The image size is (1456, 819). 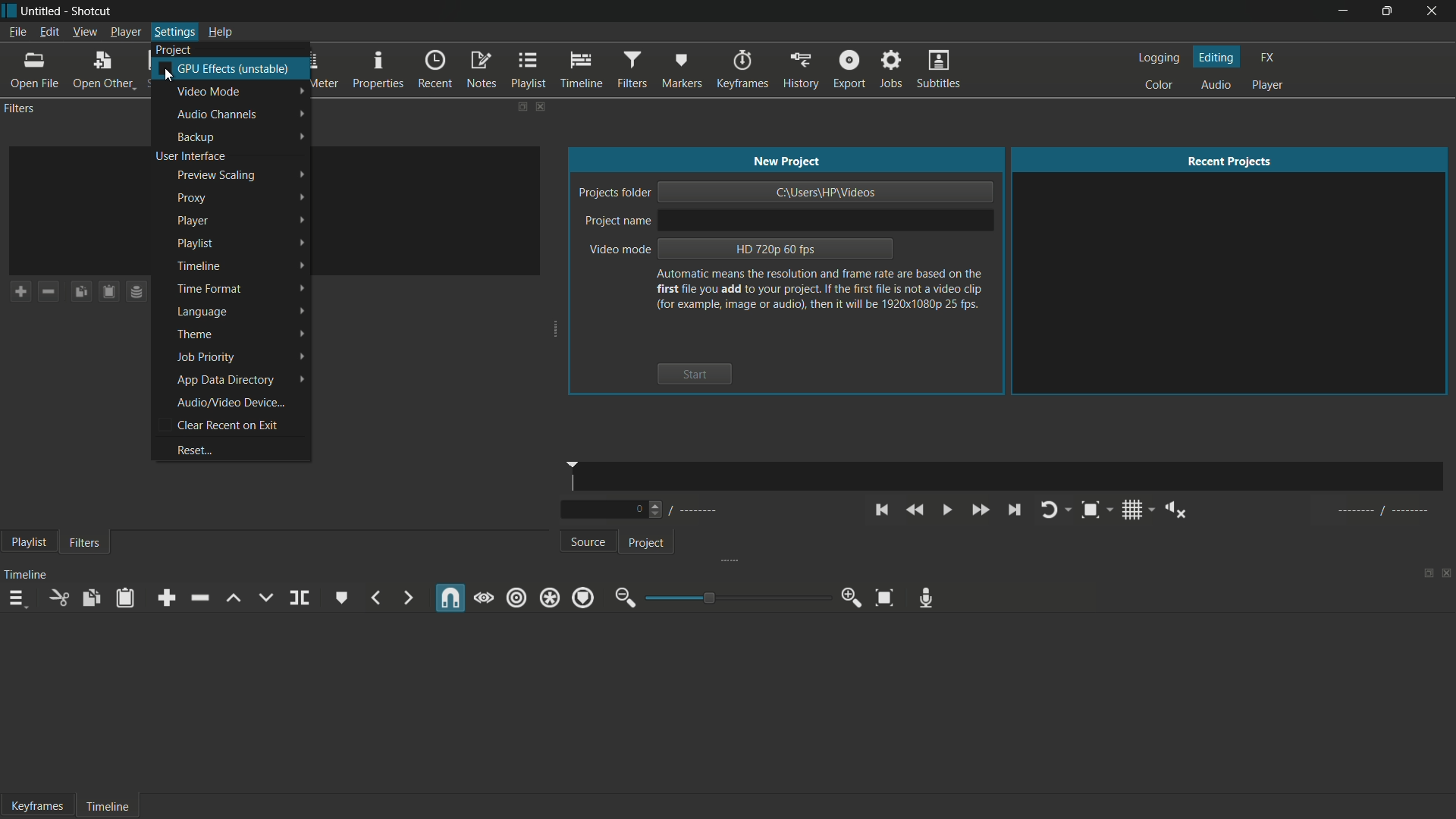 What do you see at coordinates (94, 9) in the screenshot?
I see `app name` at bounding box center [94, 9].